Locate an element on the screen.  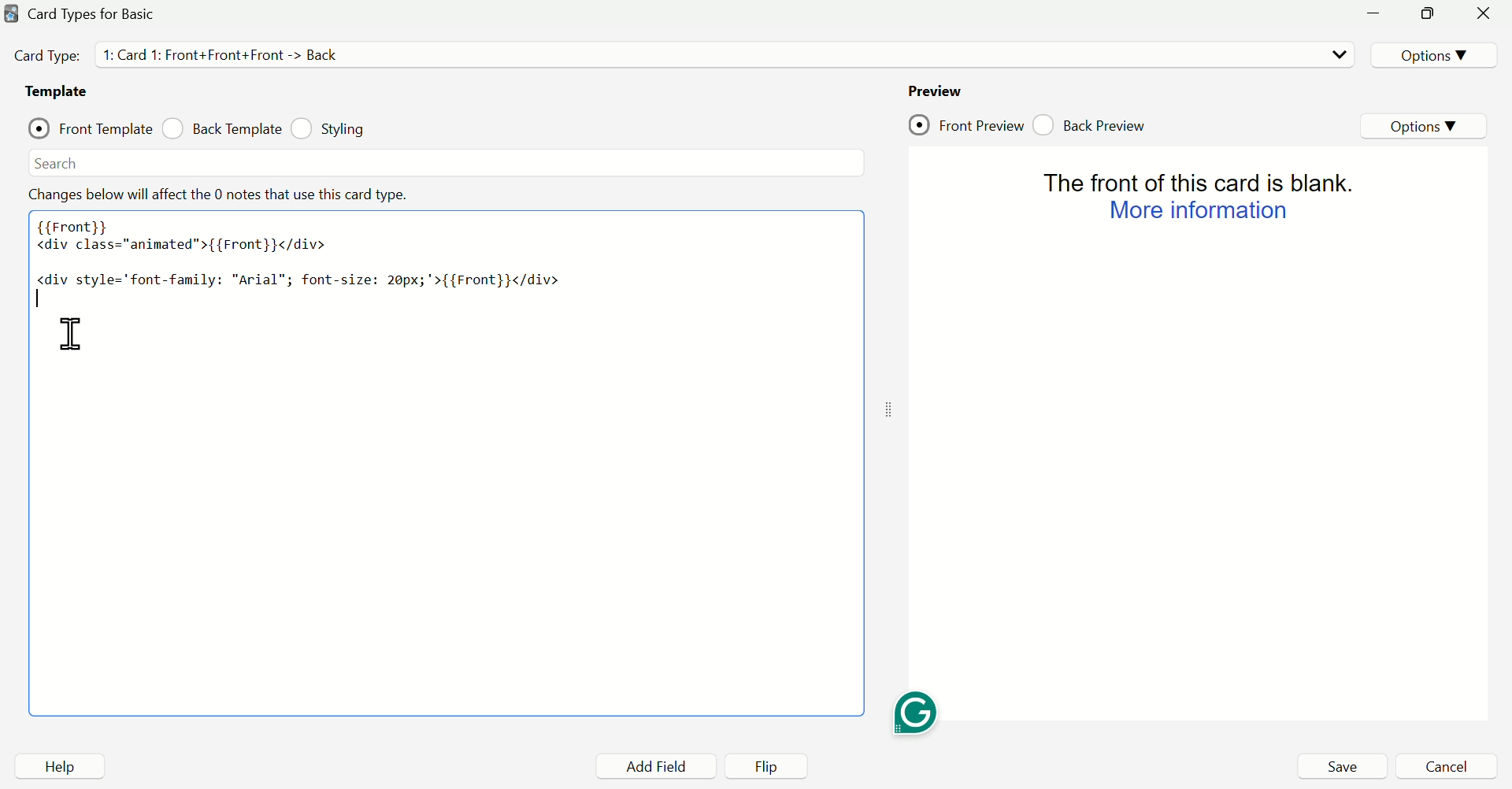
Card Types for Basic is located at coordinates (91, 14).